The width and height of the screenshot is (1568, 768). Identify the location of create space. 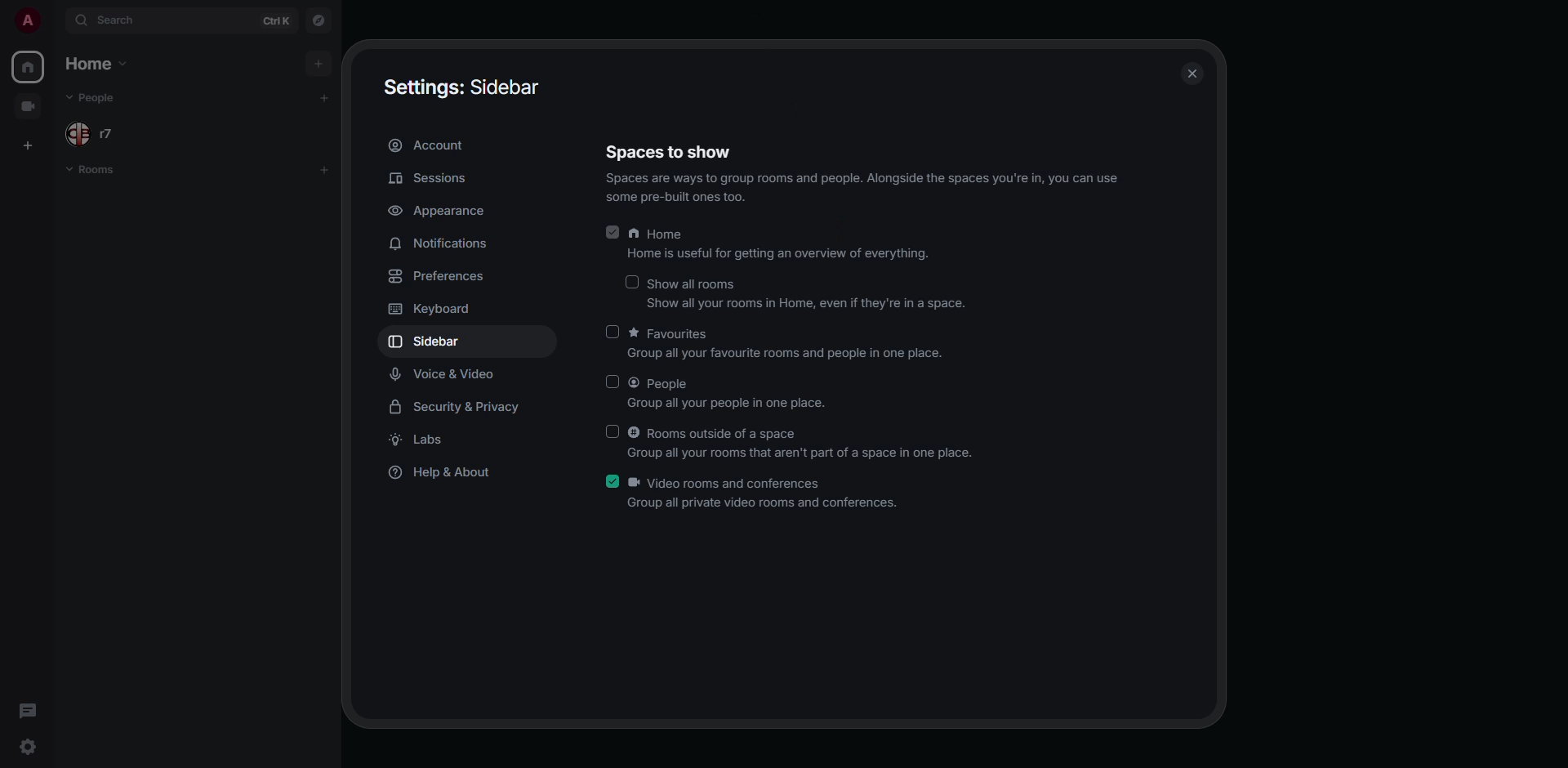
(32, 107).